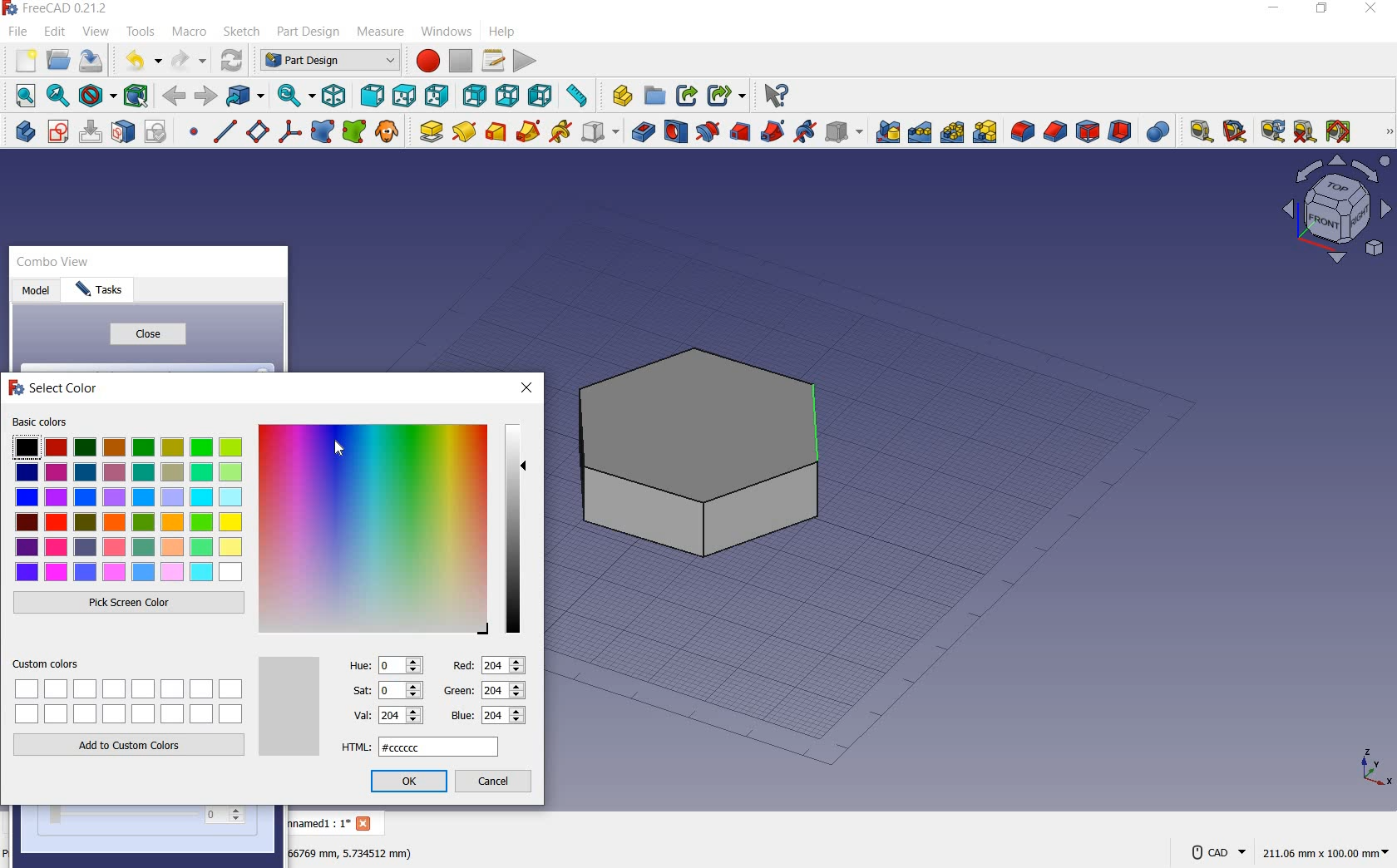 This screenshot has width=1397, height=868. What do you see at coordinates (141, 62) in the screenshot?
I see `undo` at bounding box center [141, 62].